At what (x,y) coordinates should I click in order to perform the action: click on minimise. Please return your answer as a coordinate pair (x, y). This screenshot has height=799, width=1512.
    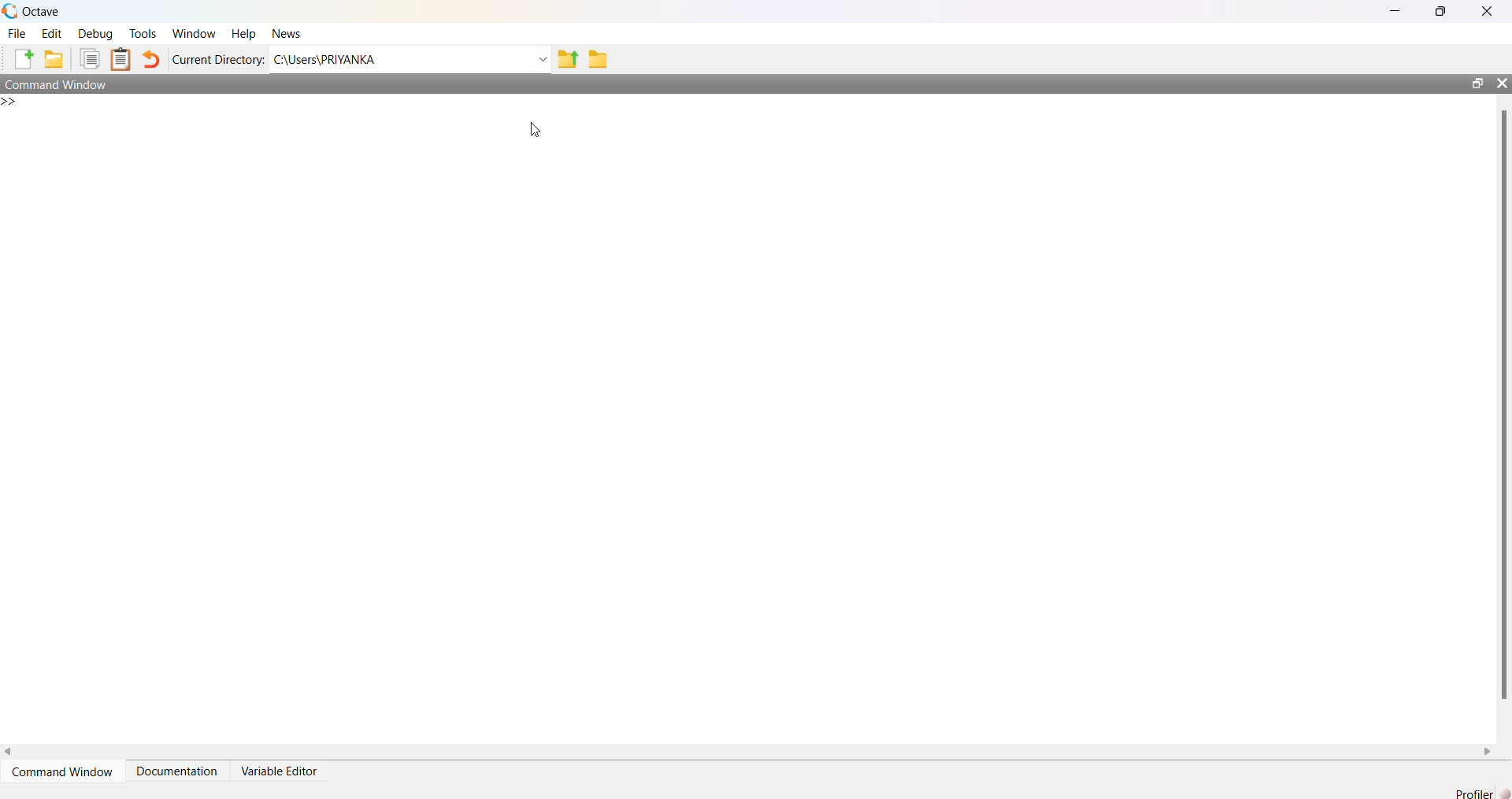
    Looking at the image, I should click on (1395, 9).